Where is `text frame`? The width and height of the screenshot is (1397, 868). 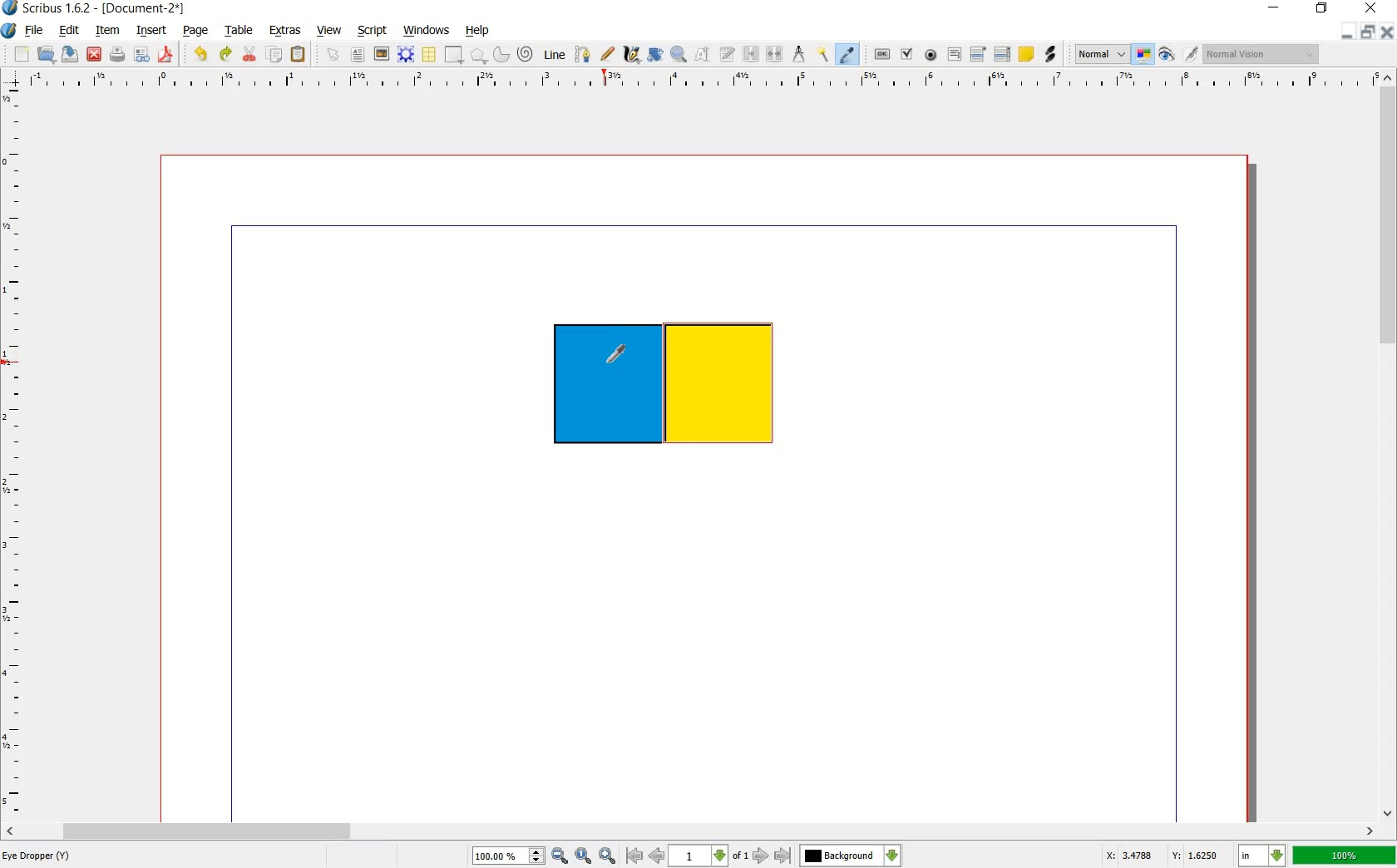
text frame is located at coordinates (358, 56).